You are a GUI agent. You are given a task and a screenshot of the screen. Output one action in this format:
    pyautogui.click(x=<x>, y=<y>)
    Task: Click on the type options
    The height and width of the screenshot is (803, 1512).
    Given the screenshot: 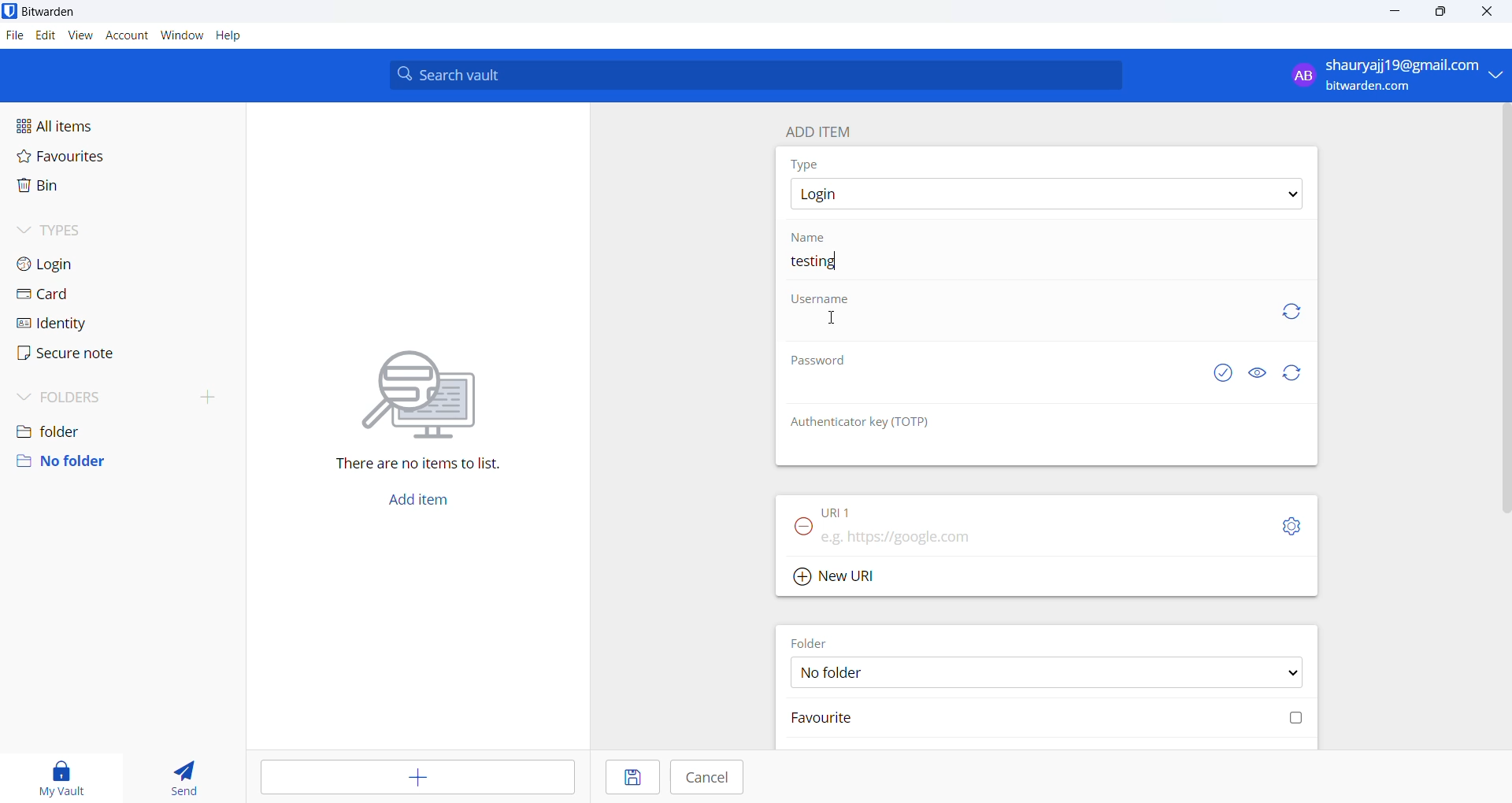 What is the action you would take?
    pyautogui.click(x=1045, y=194)
    